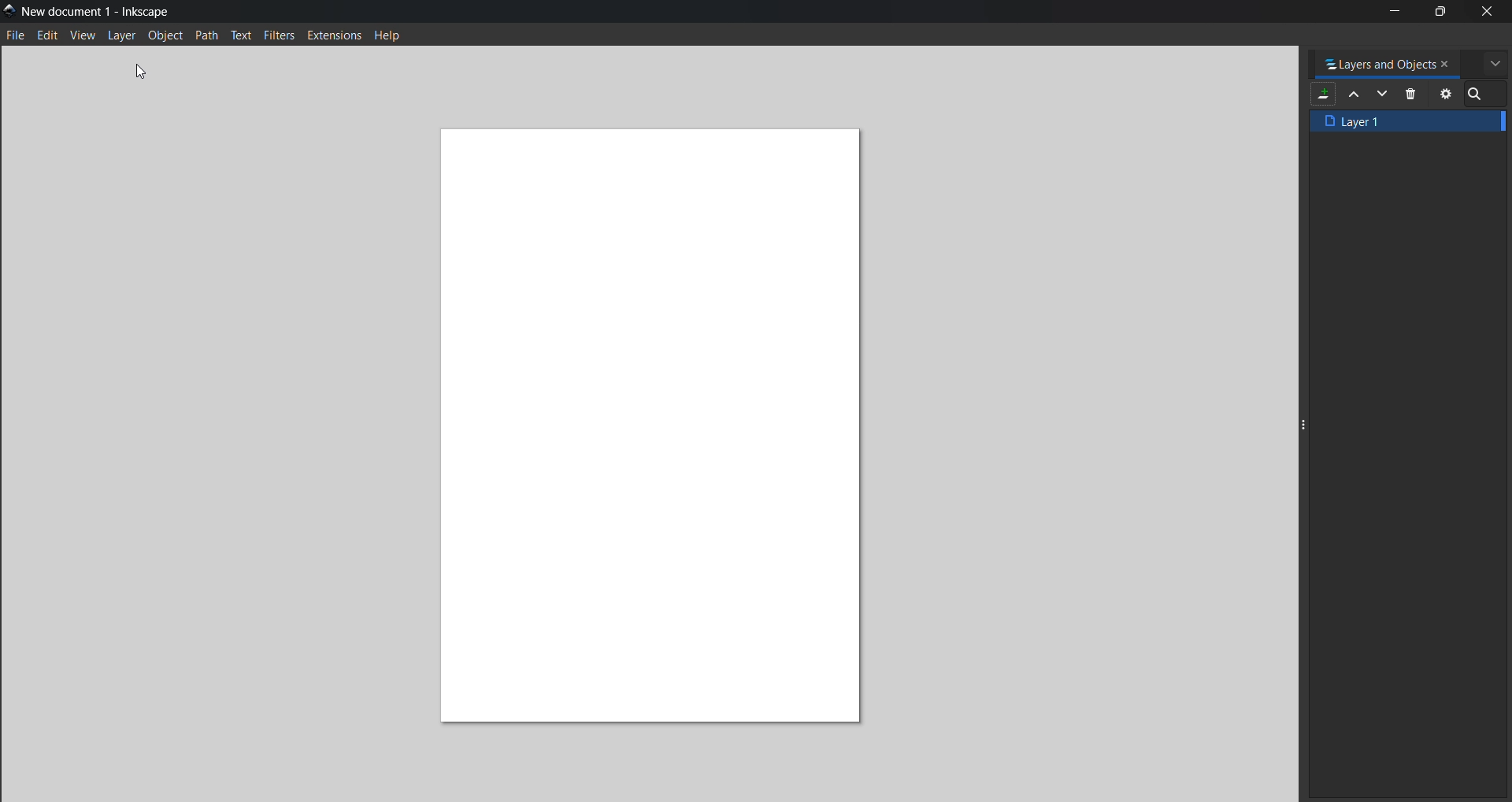  Describe the element at coordinates (167, 36) in the screenshot. I see `object` at that location.